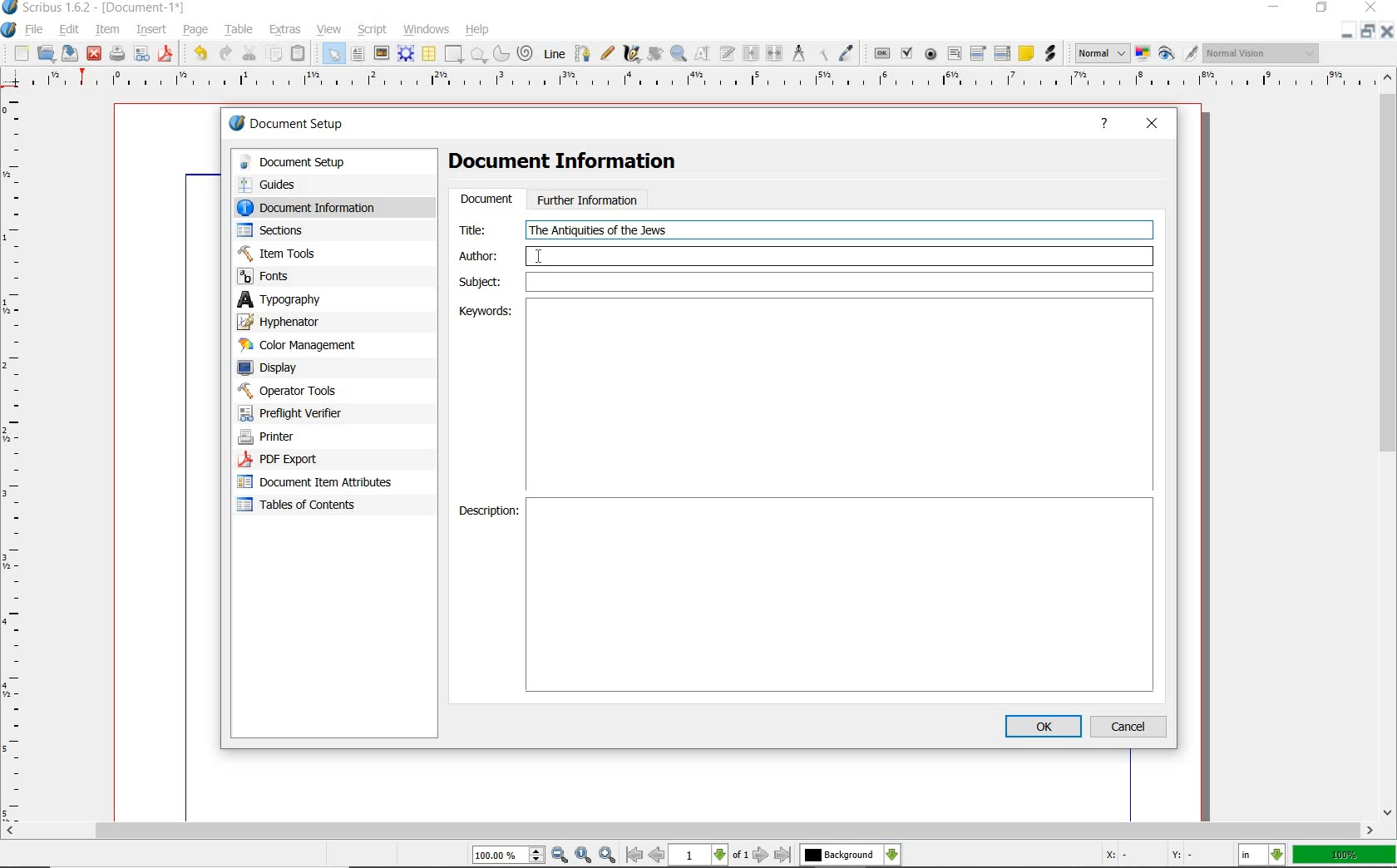 The width and height of the screenshot is (1397, 868). What do you see at coordinates (1025, 55) in the screenshot?
I see `text annotation` at bounding box center [1025, 55].